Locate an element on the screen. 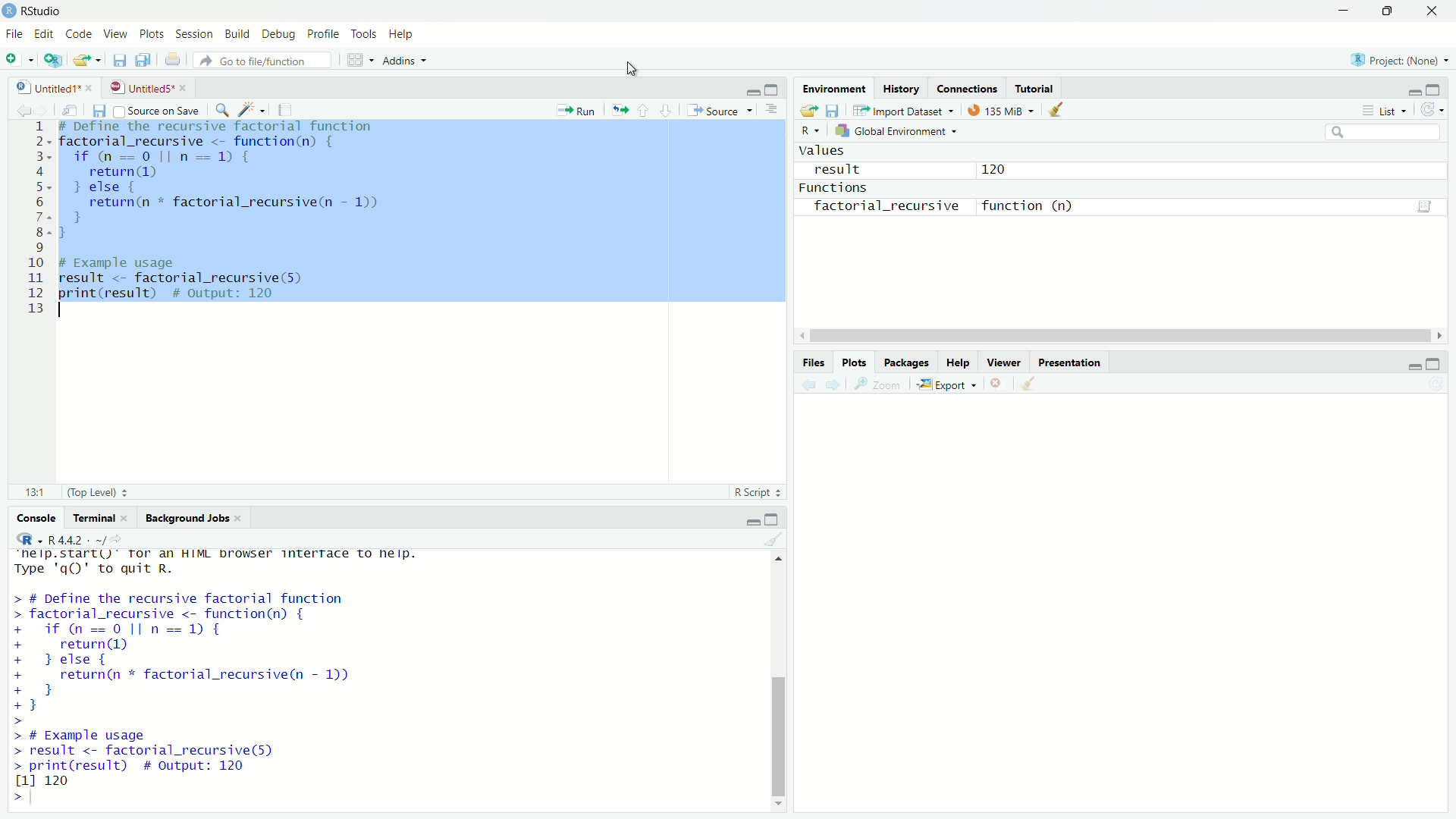 The image size is (1456, 819). Background Jobs is located at coordinates (191, 517).